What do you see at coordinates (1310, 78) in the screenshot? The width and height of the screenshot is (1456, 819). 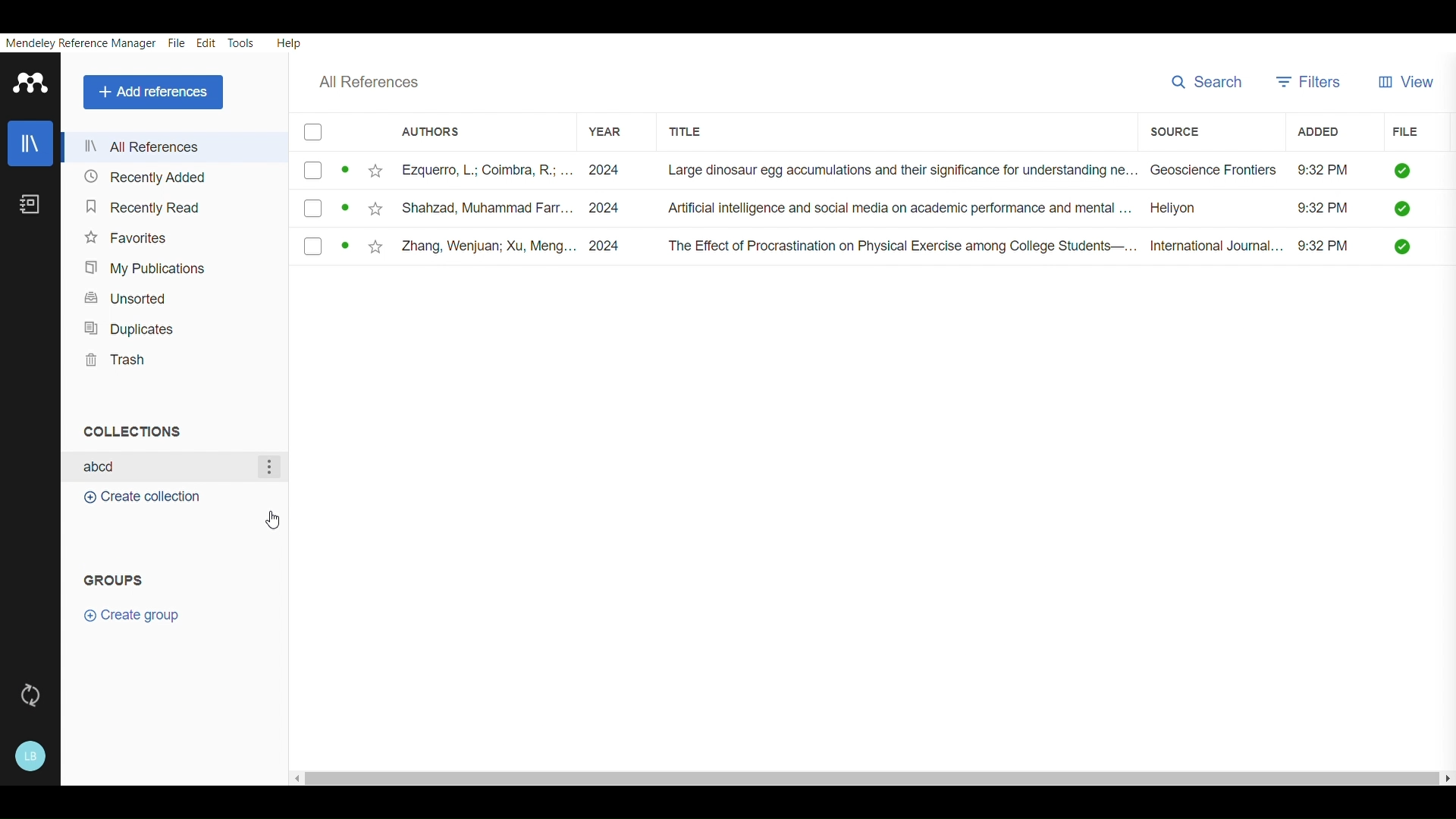 I see `Filters` at bounding box center [1310, 78].